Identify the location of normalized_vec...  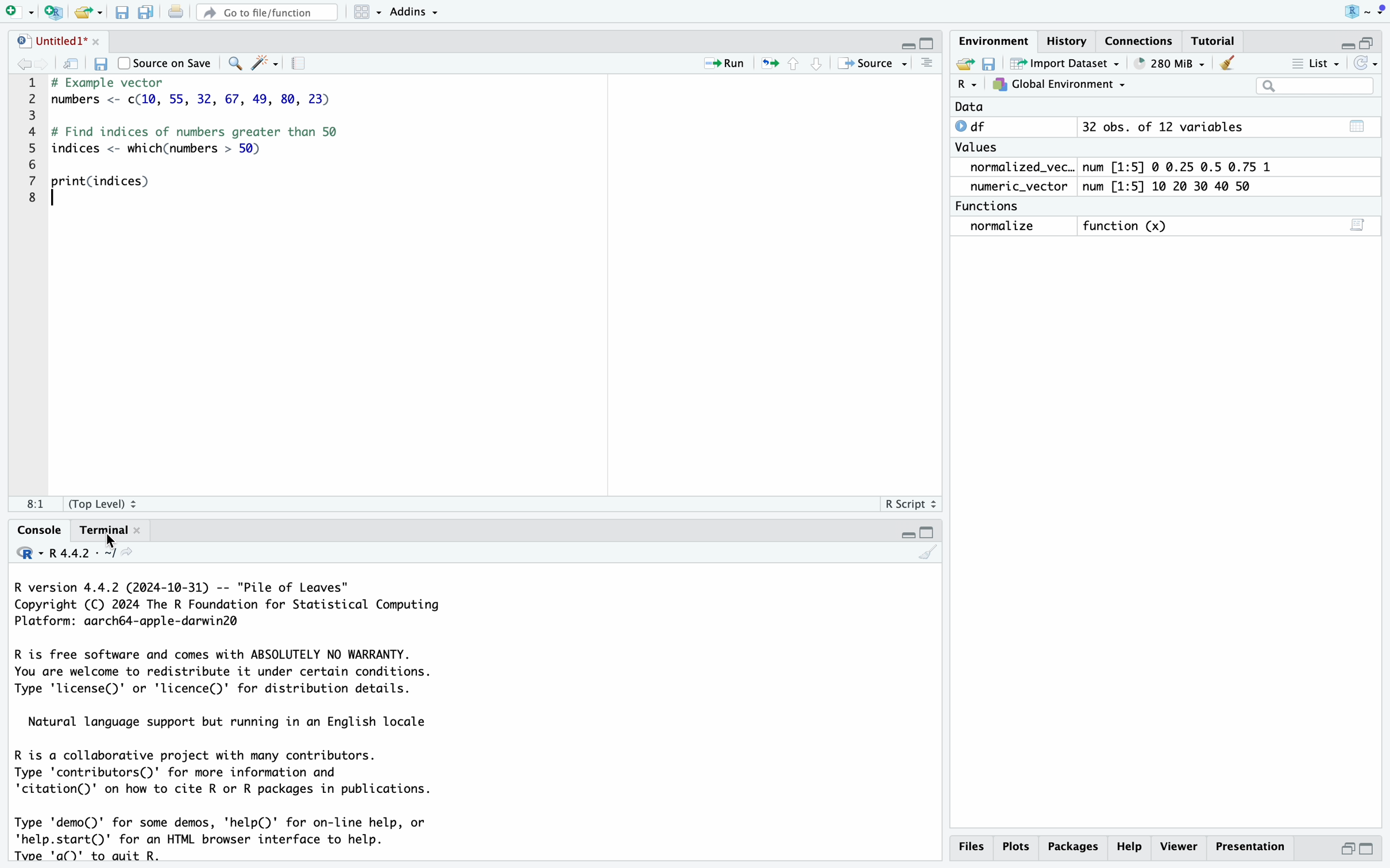
(1017, 168).